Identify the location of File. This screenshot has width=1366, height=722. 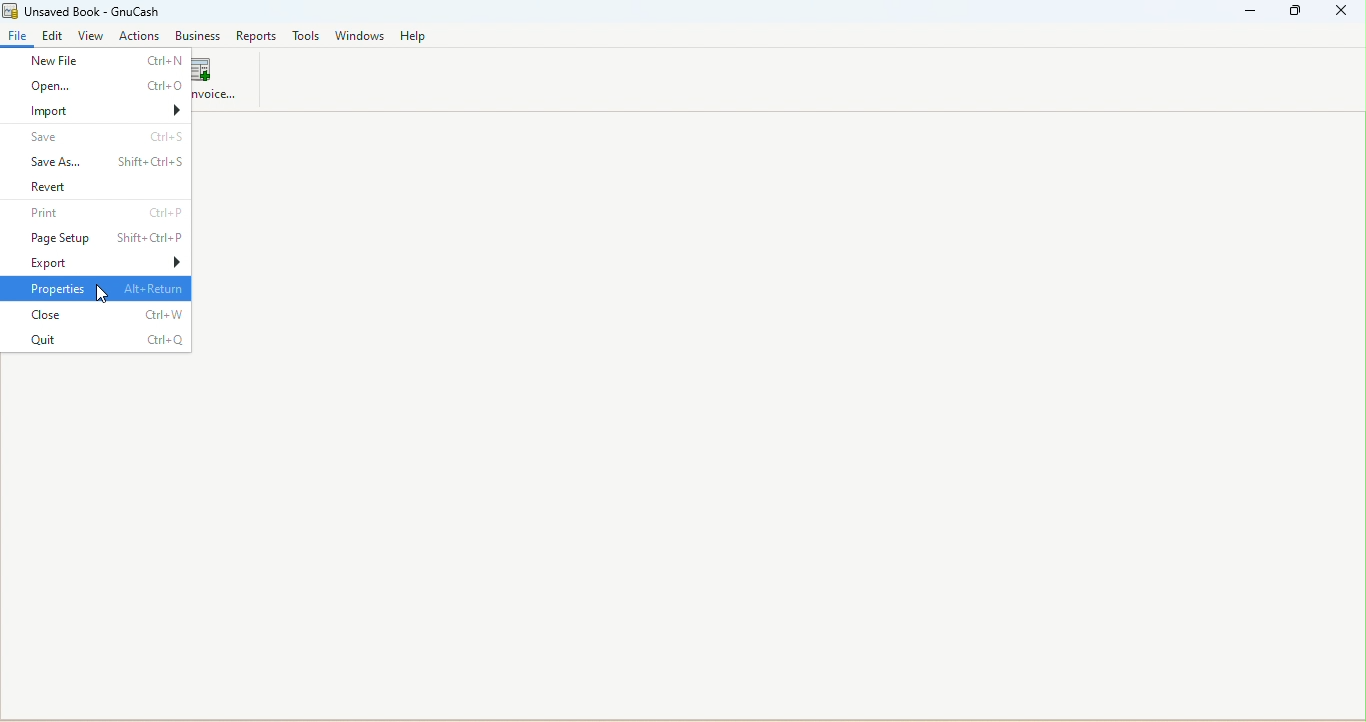
(18, 38).